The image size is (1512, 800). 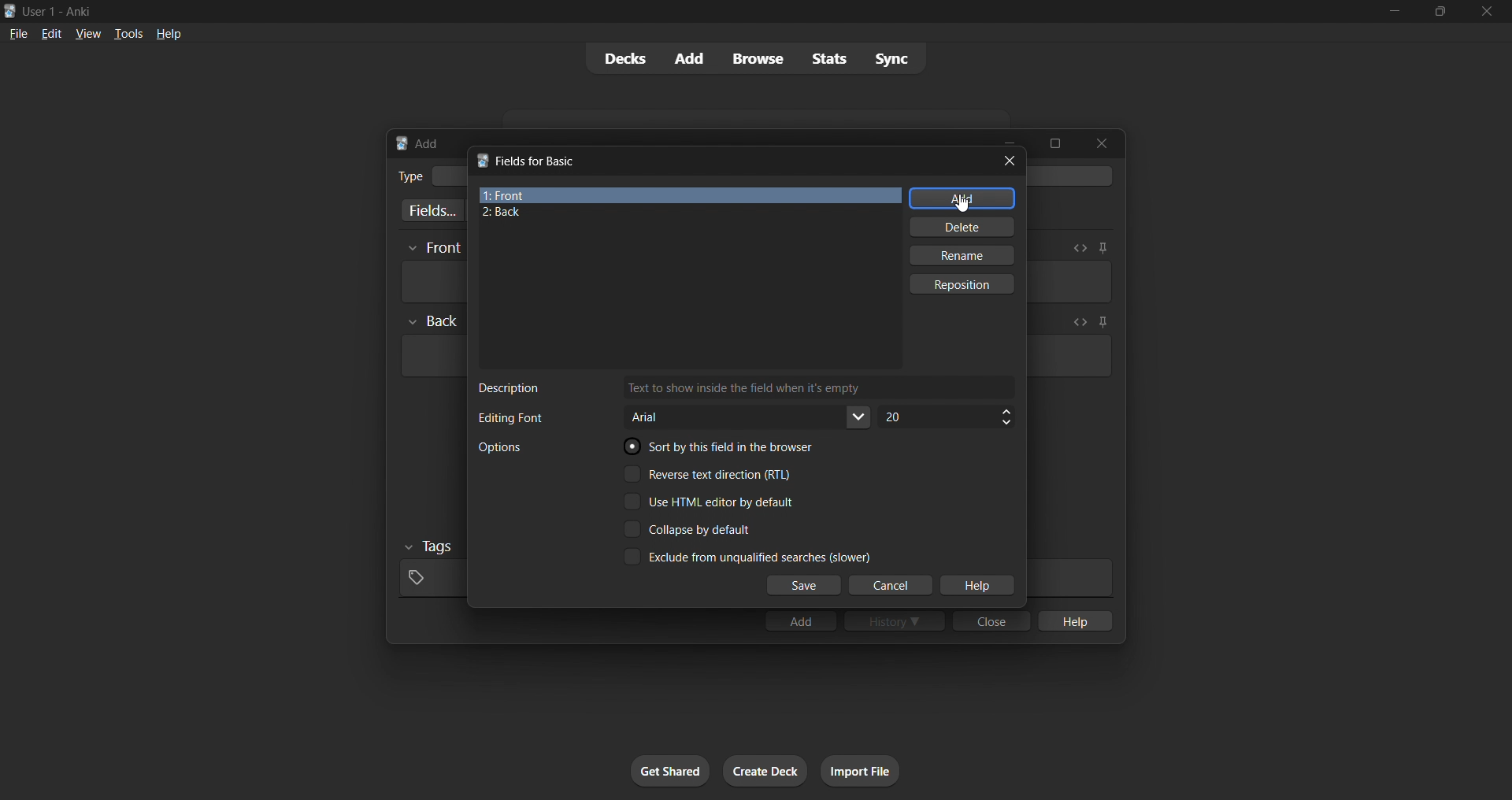 I want to click on maximize/restore, so click(x=1440, y=12).